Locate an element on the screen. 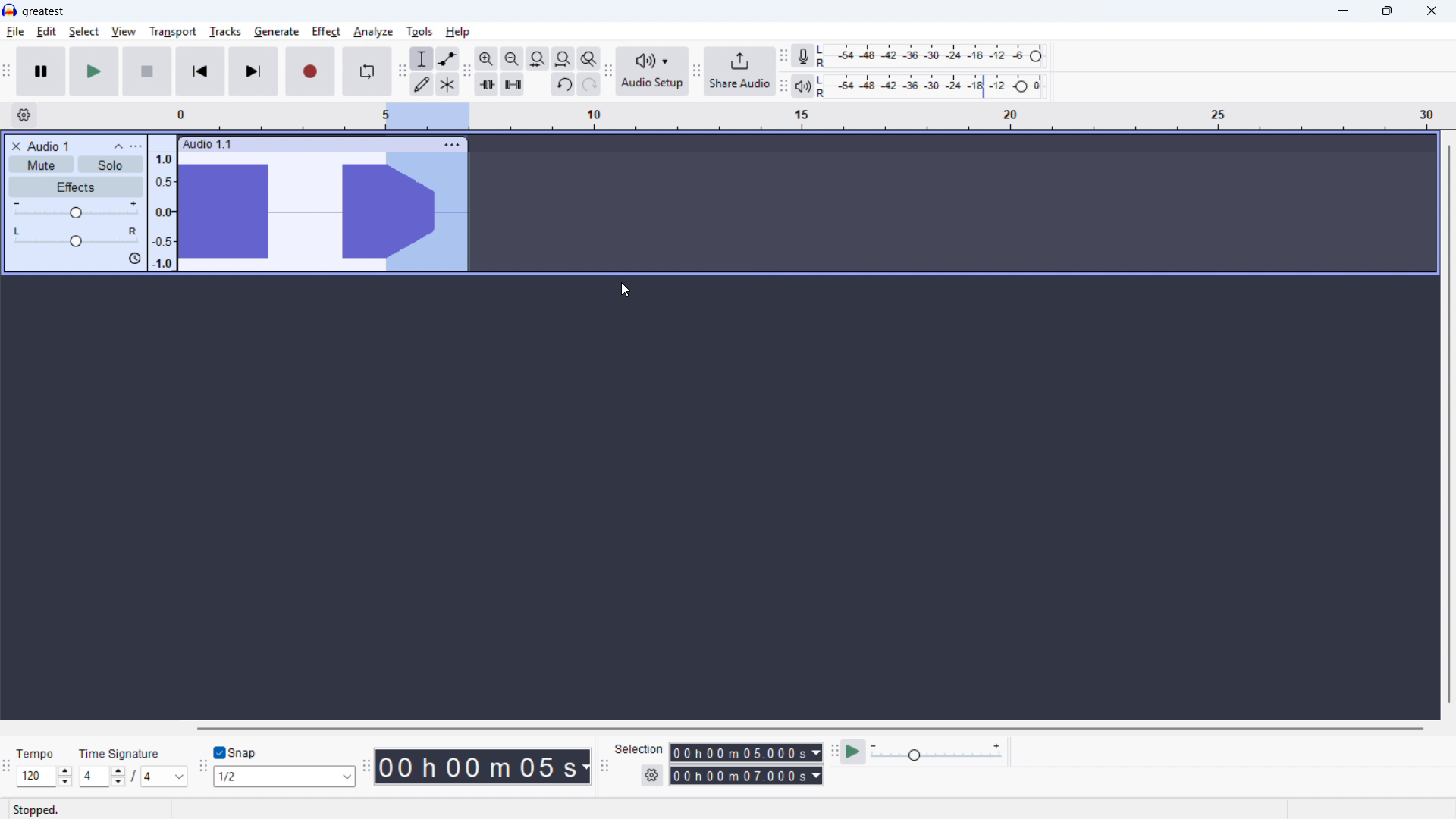 This screenshot has width=1456, height=819. stop  is located at coordinates (147, 71).